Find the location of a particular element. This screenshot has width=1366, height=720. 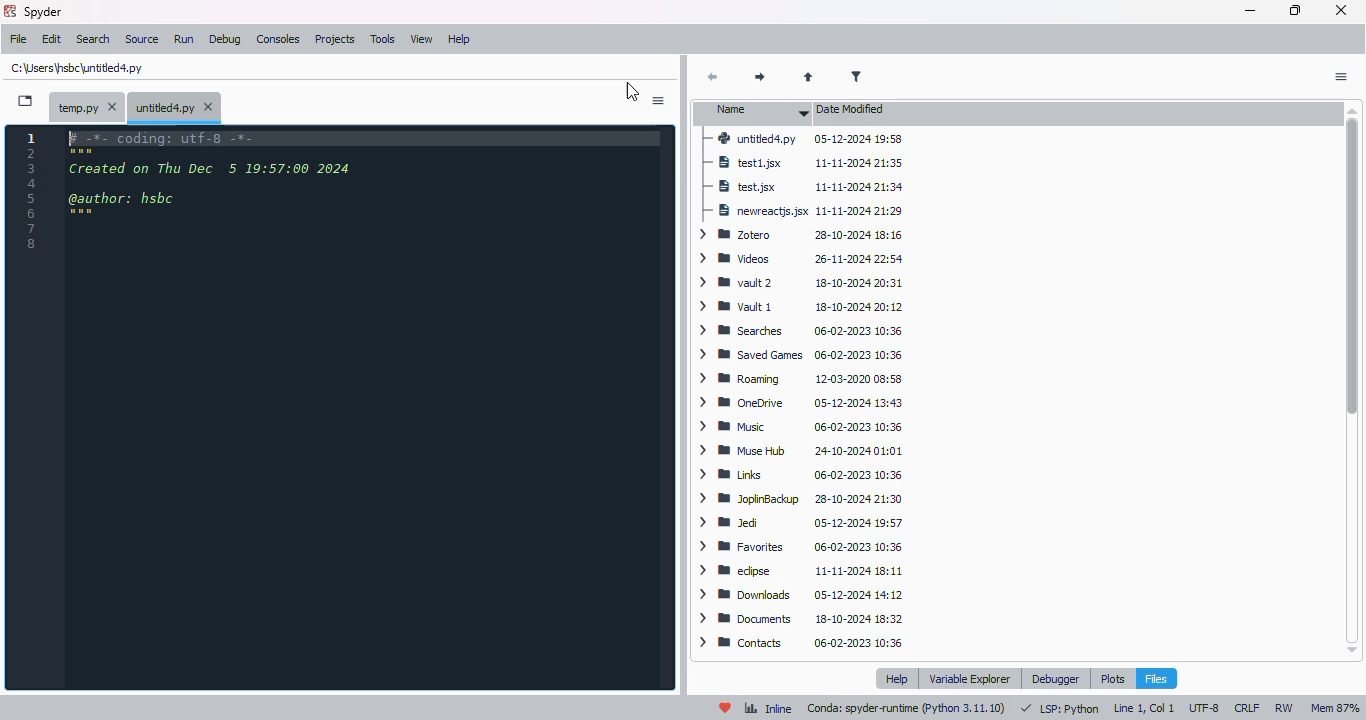

tools is located at coordinates (383, 39).